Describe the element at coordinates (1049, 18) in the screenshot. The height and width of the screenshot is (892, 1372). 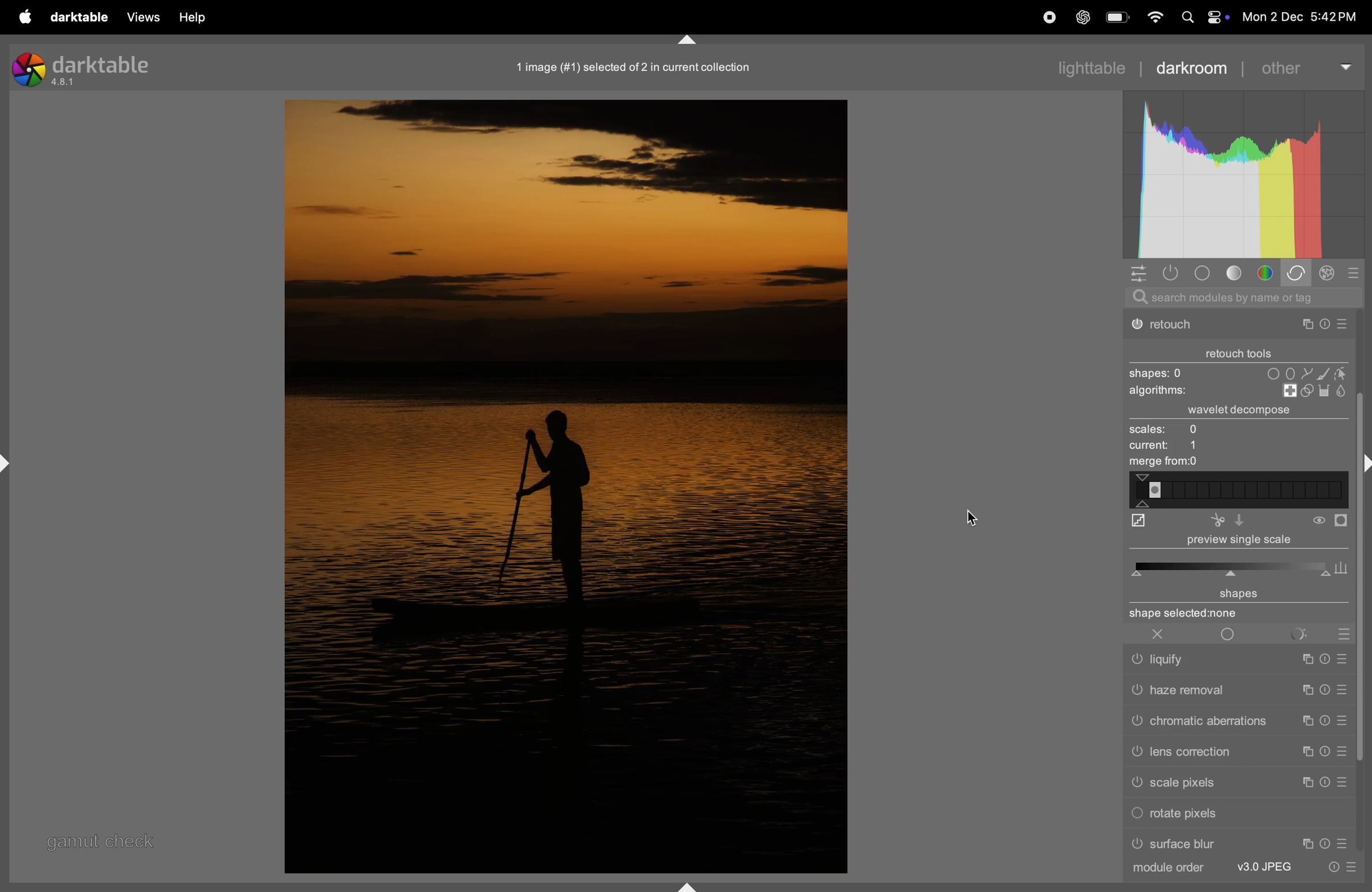
I see `record` at that location.